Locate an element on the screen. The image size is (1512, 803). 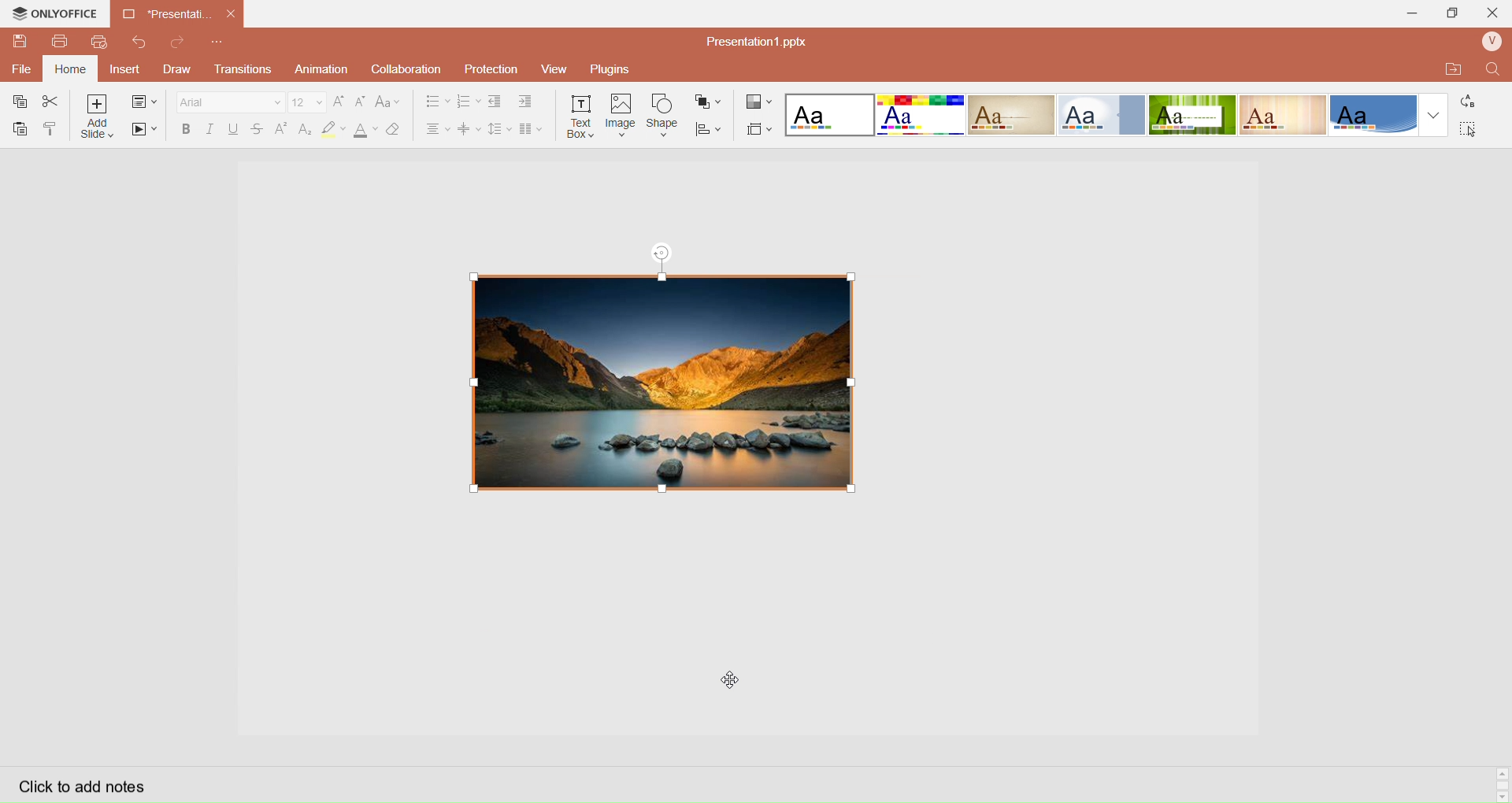
Home is located at coordinates (71, 70).